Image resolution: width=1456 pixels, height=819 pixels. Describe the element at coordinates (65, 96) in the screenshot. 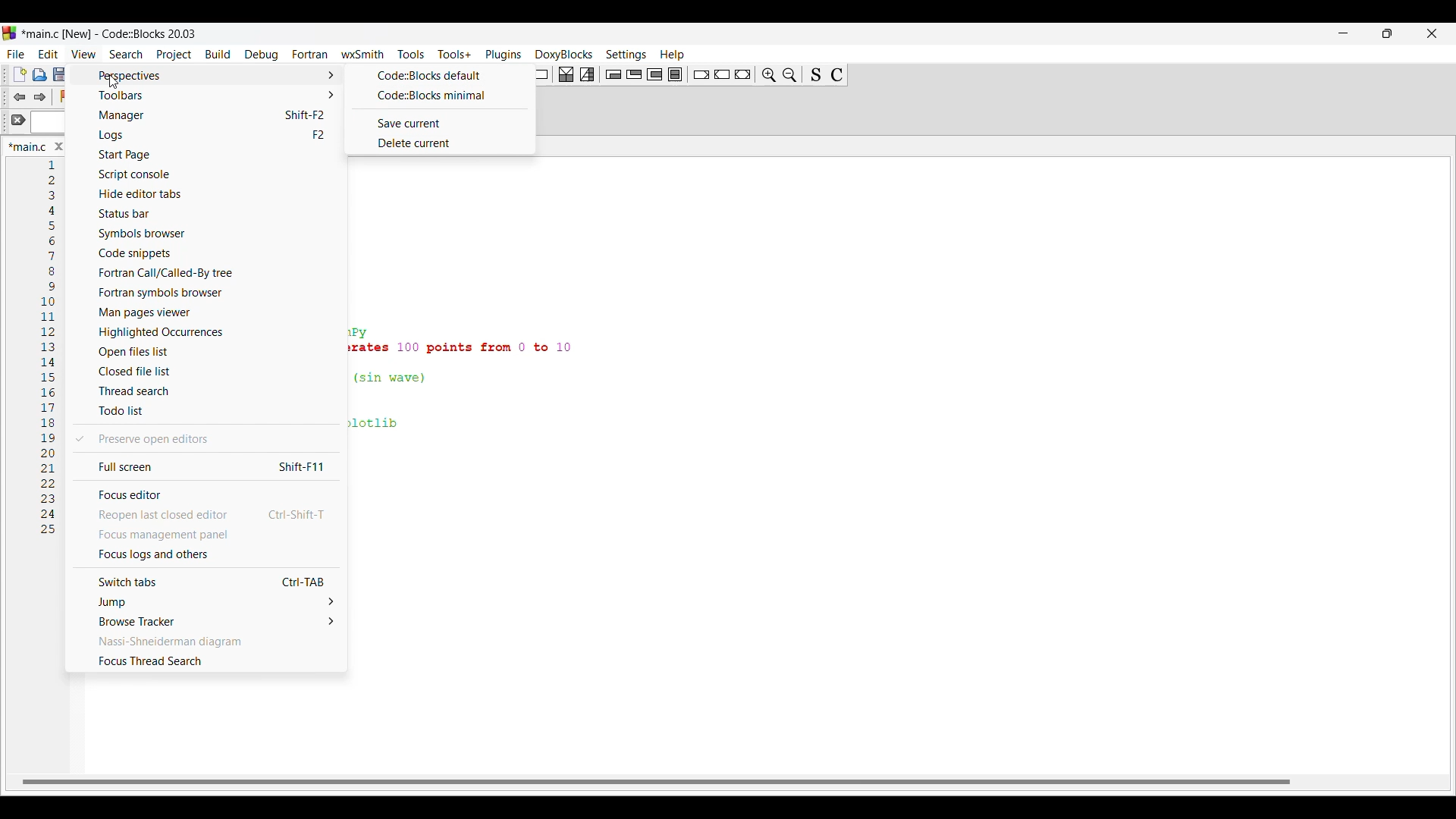

I see `Toggle bookmark` at that location.